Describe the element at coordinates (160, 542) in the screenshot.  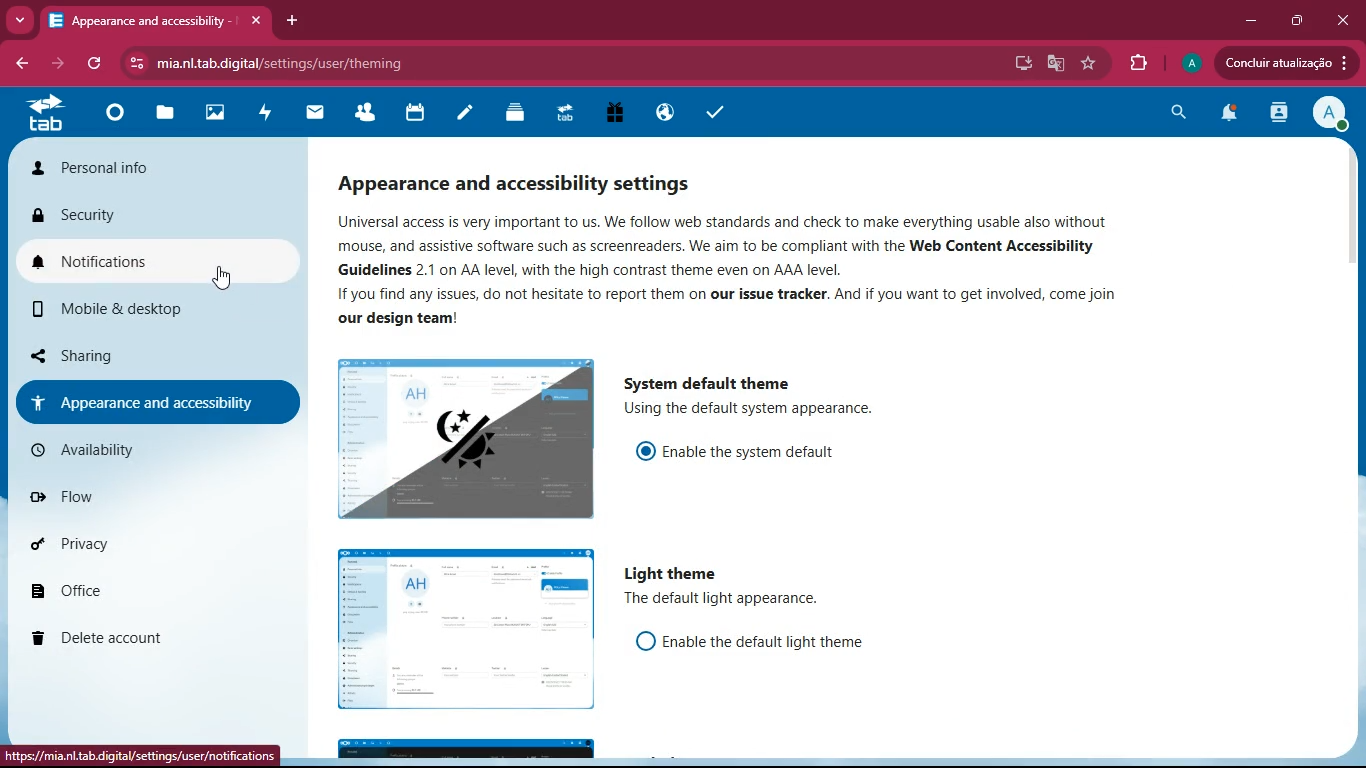
I see `privacy` at that location.